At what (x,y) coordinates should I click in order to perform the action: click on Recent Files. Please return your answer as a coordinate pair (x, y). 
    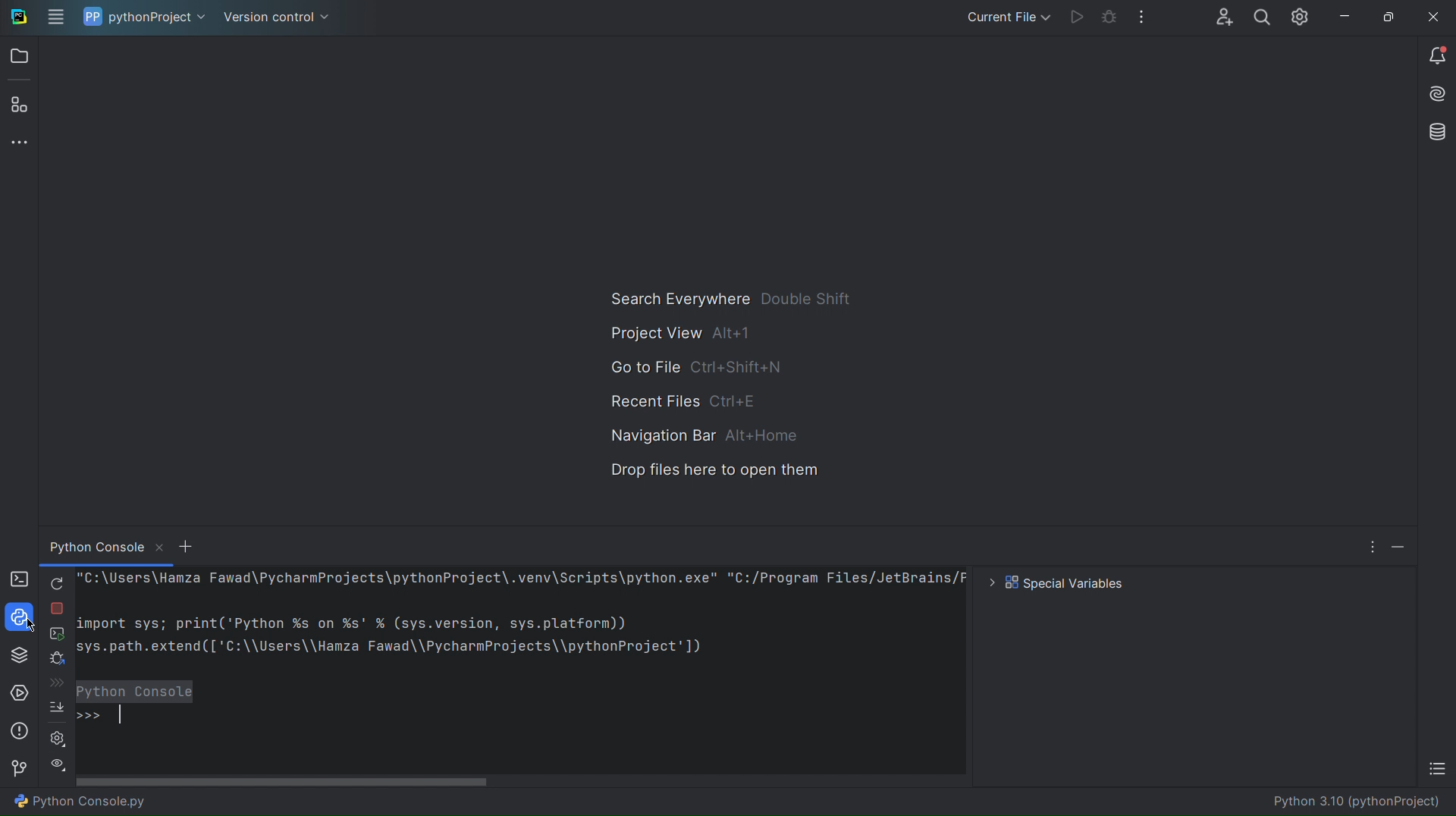
    Looking at the image, I should click on (686, 401).